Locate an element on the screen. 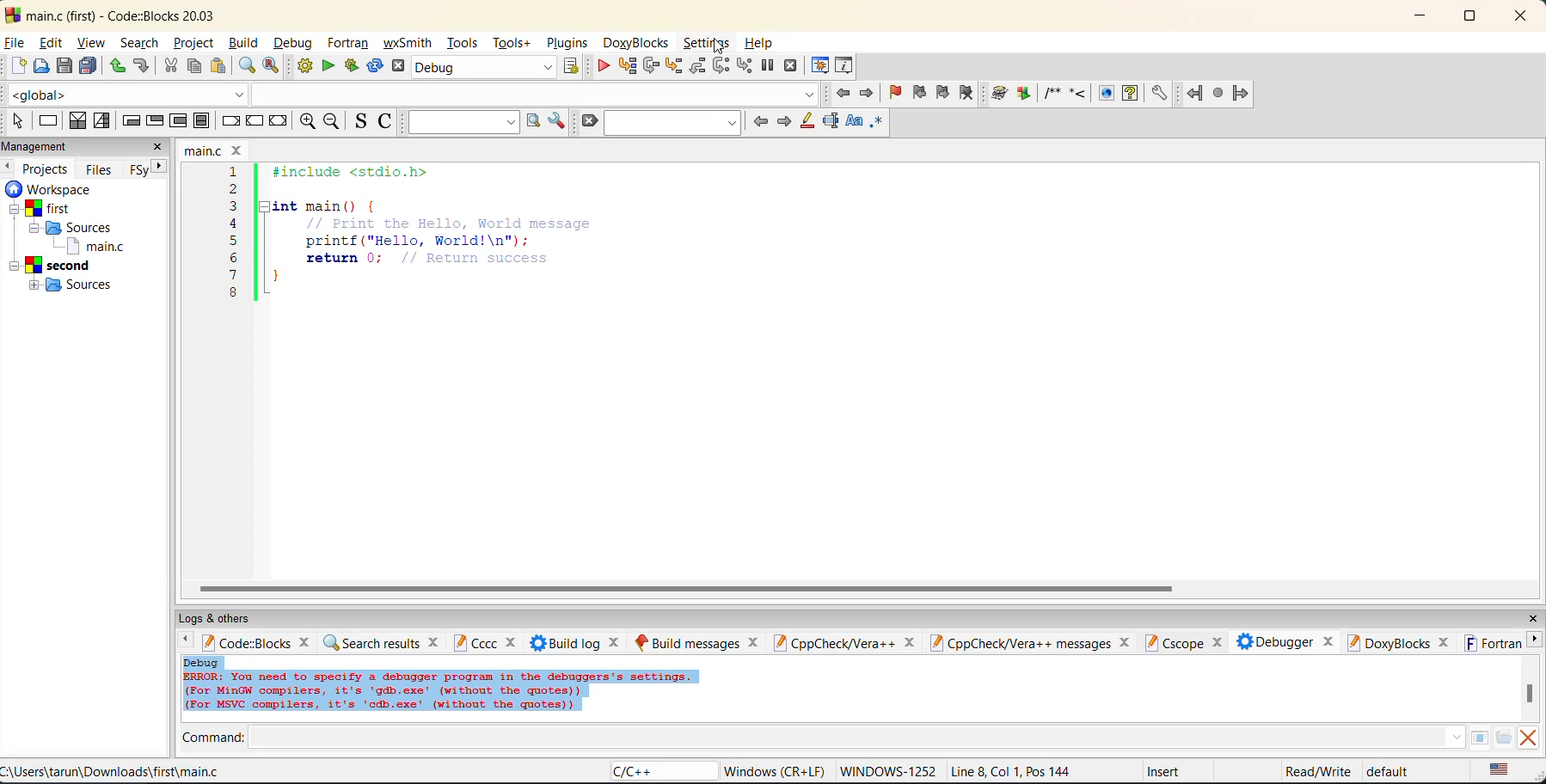  next is located at coordinates (787, 122).